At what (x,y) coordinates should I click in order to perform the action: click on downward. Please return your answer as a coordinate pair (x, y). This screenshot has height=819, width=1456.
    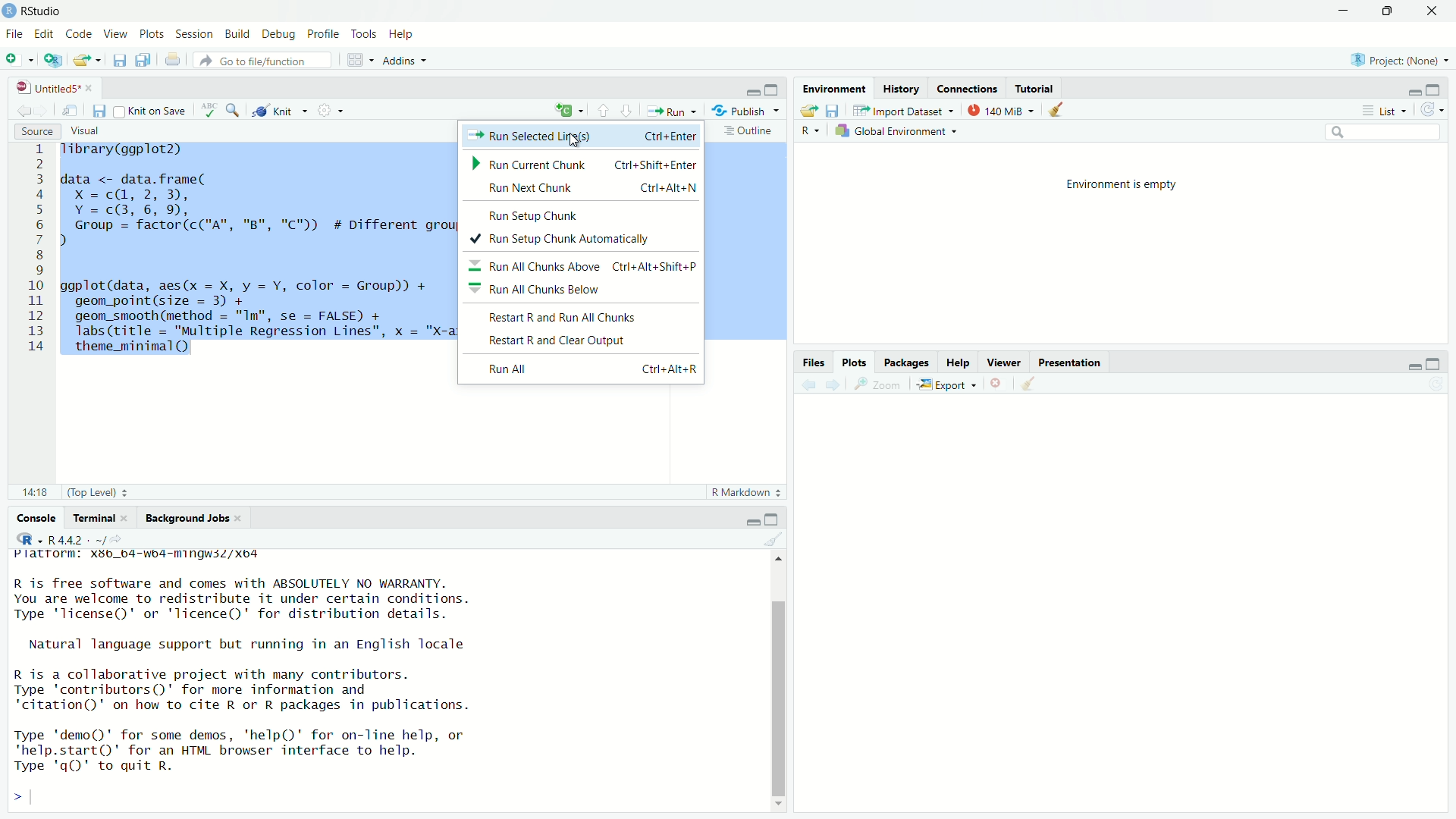
    Looking at the image, I should click on (630, 113).